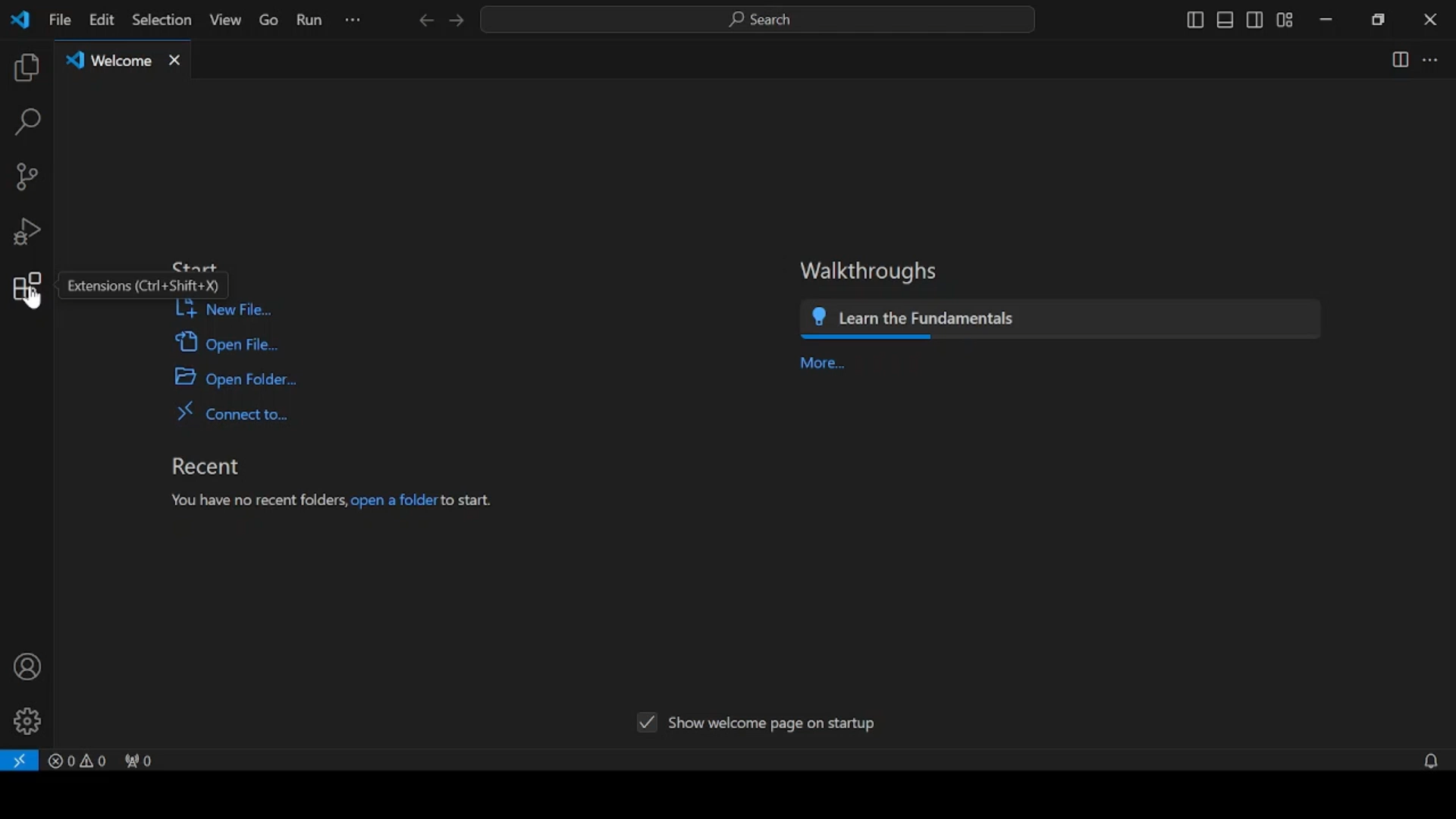 The height and width of the screenshot is (819, 1456). I want to click on toggle secondary sidebar, so click(1255, 20).